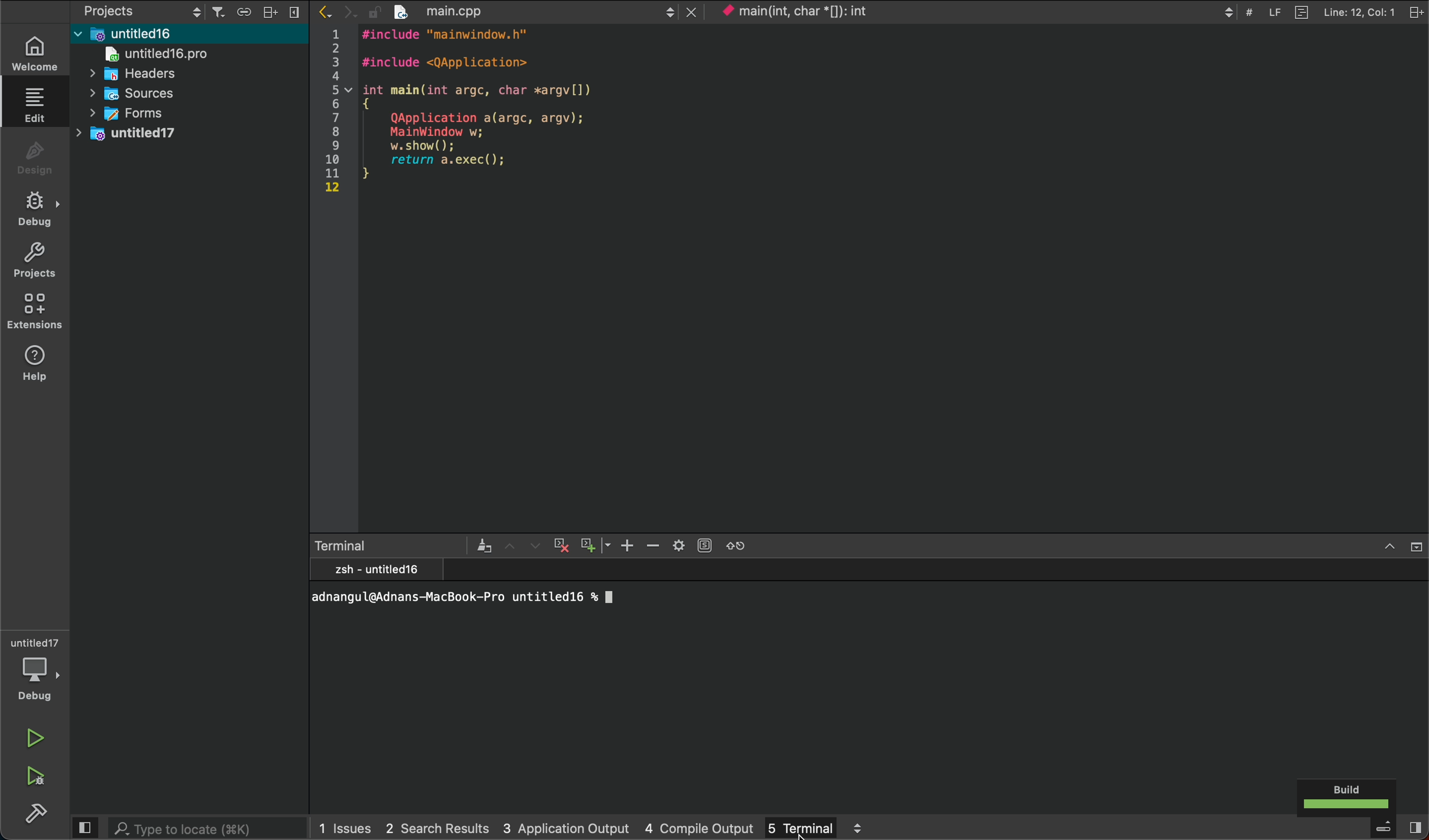  What do you see at coordinates (299, 13) in the screenshot?
I see `close sidebar` at bounding box center [299, 13].